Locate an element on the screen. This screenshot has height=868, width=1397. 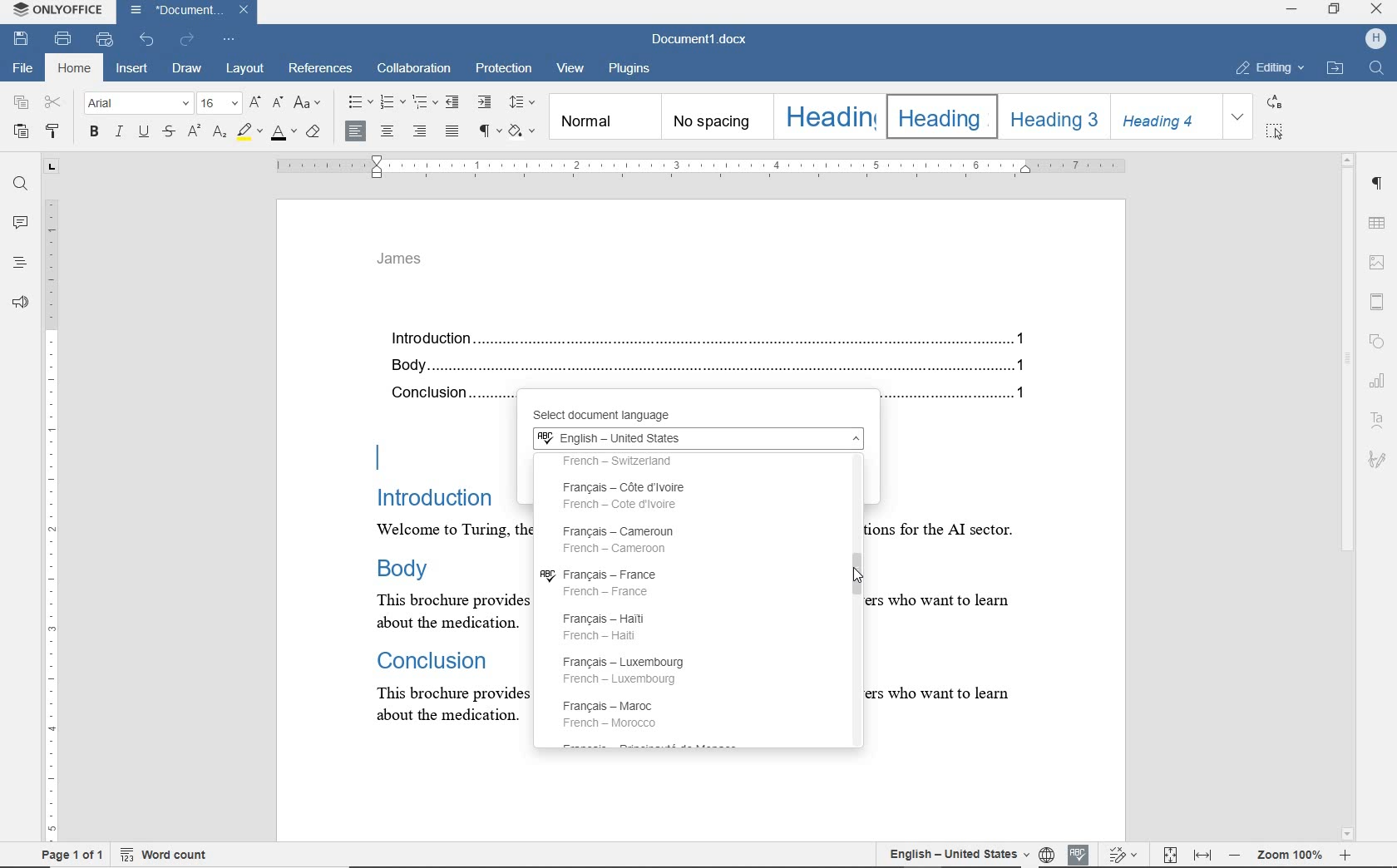
redo is located at coordinates (187, 40).